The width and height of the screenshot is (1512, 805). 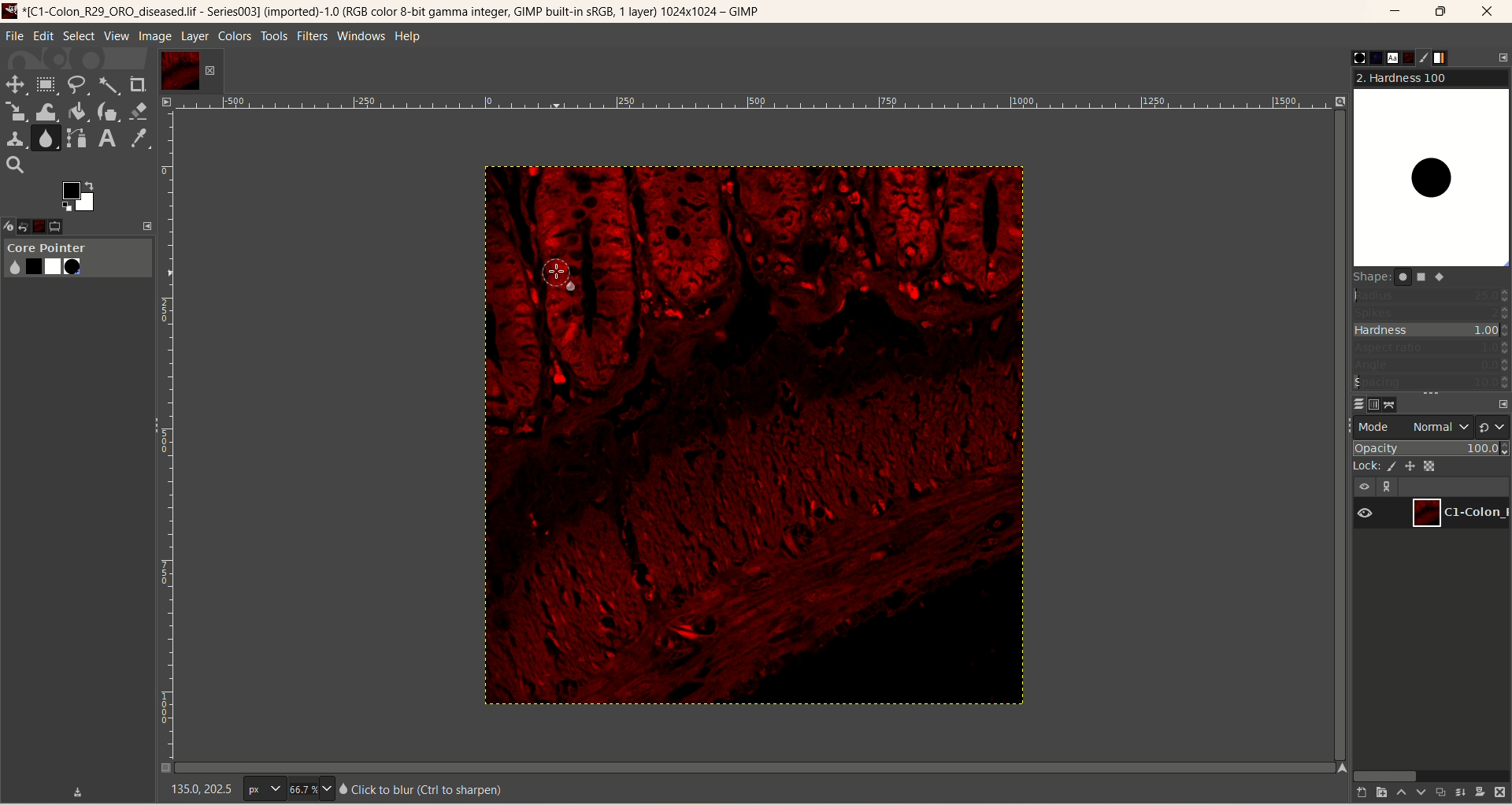 What do you see at coordinates (1416, 465) in the screenshot?
I see `lock position and size` at bounding box center [1416, 465].